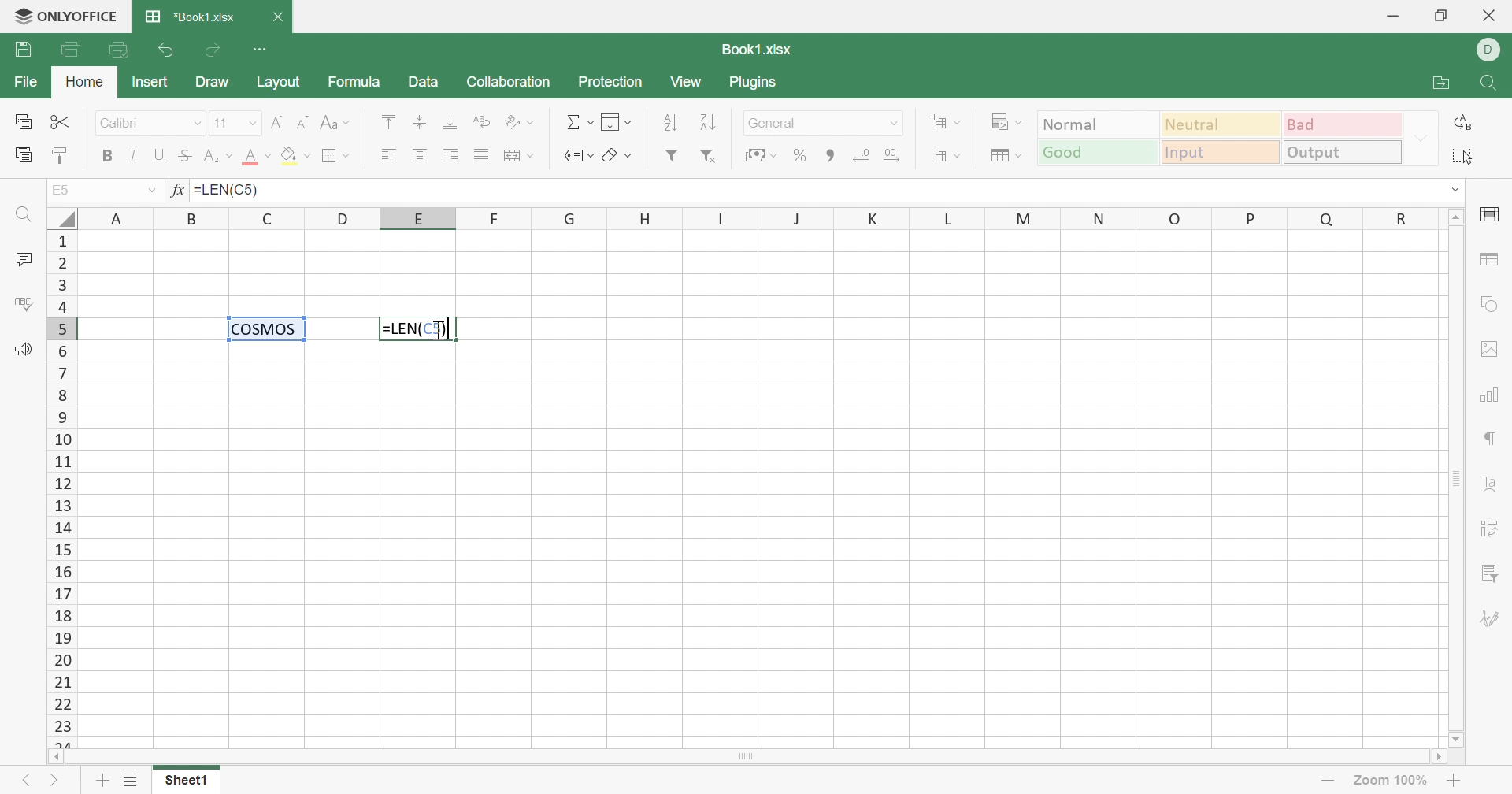 Image resolution: width=1512 pixels, height=794 pixels. I want to click on Cell settings, so click(1489, 216).